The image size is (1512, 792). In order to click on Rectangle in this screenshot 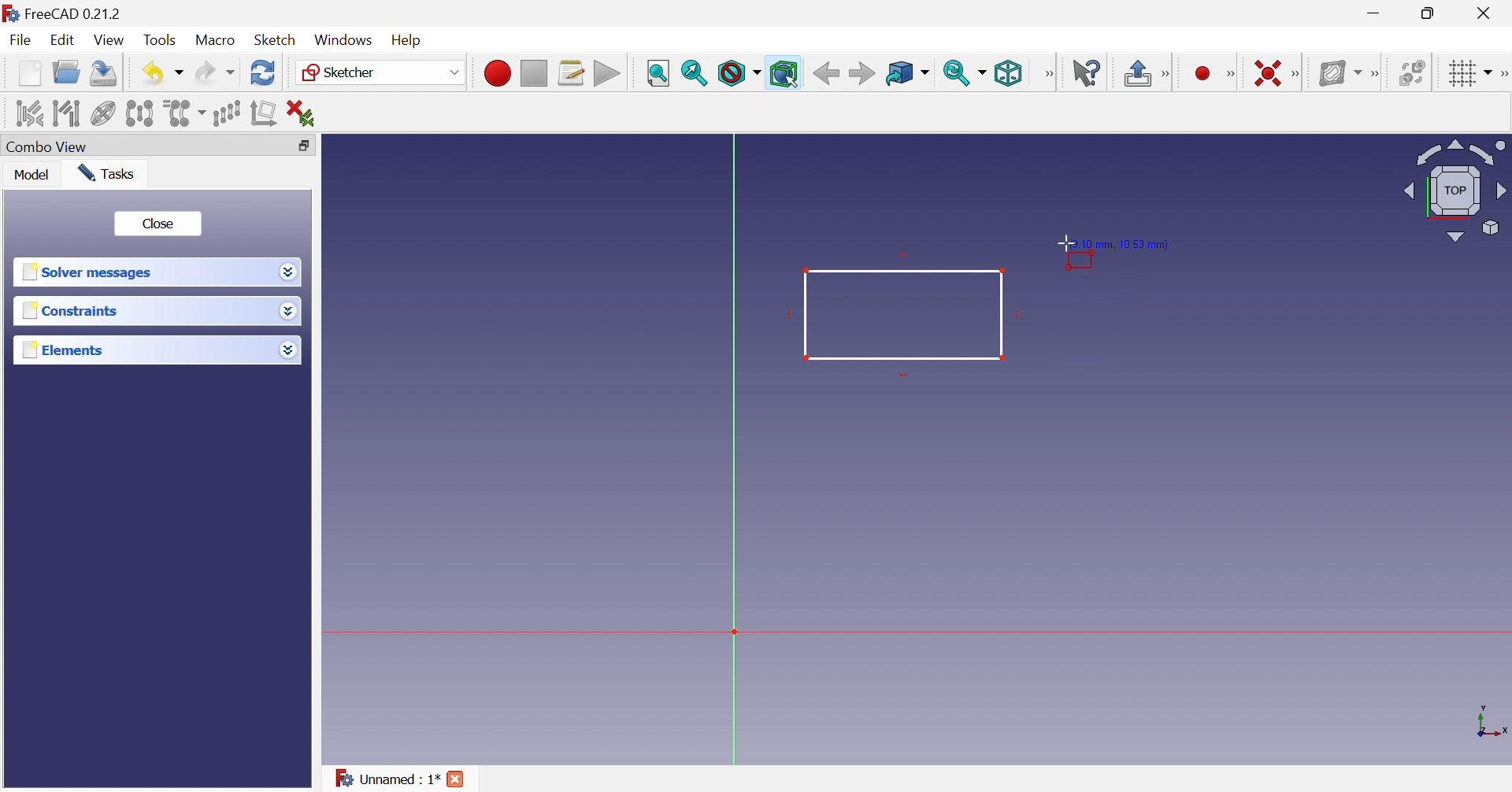, I will do `click(903, 313)`.